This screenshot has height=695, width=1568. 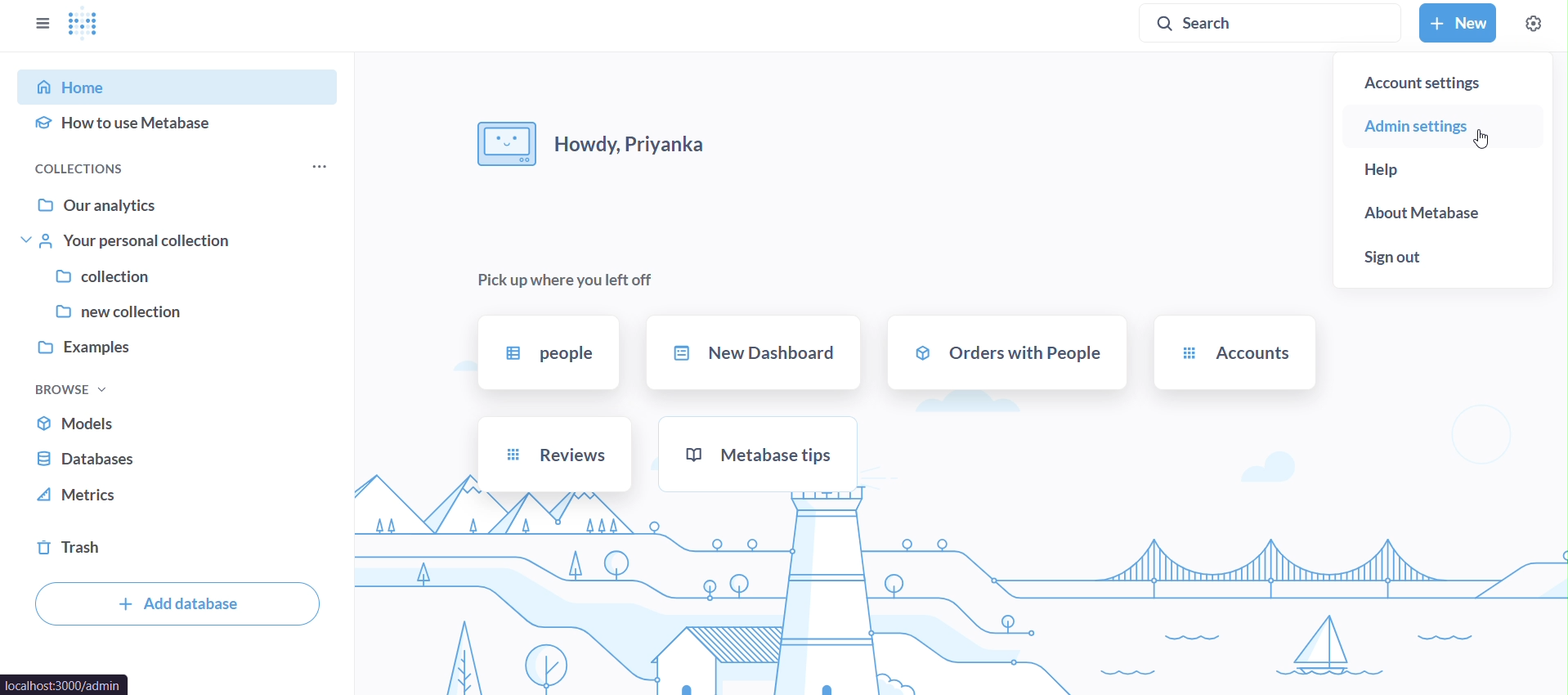 What do you see at coordinates (755, 354) in the screenshot?
I see `new dashboard` at bounding box center [755, 354].